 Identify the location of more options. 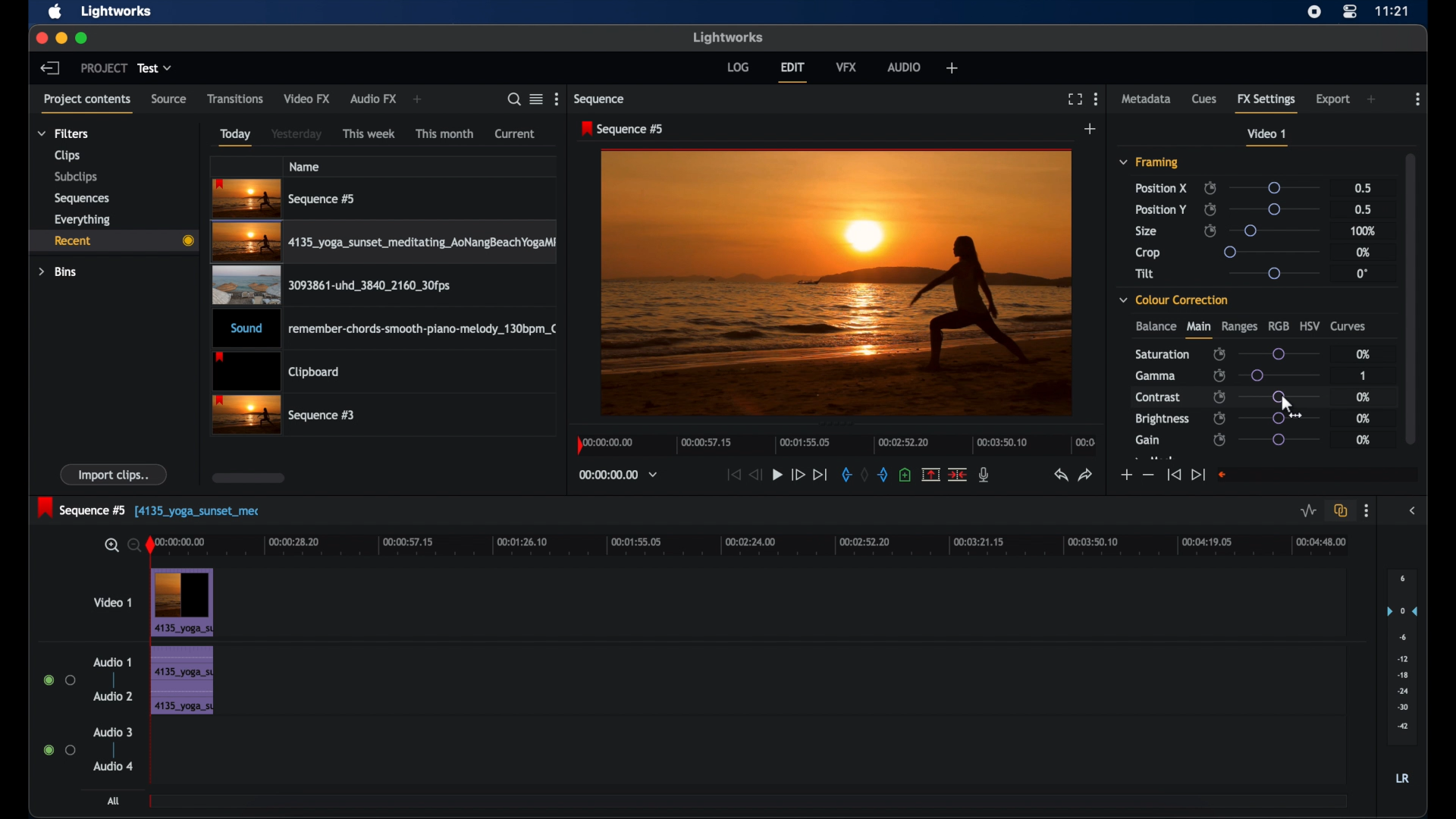
(559, 99).